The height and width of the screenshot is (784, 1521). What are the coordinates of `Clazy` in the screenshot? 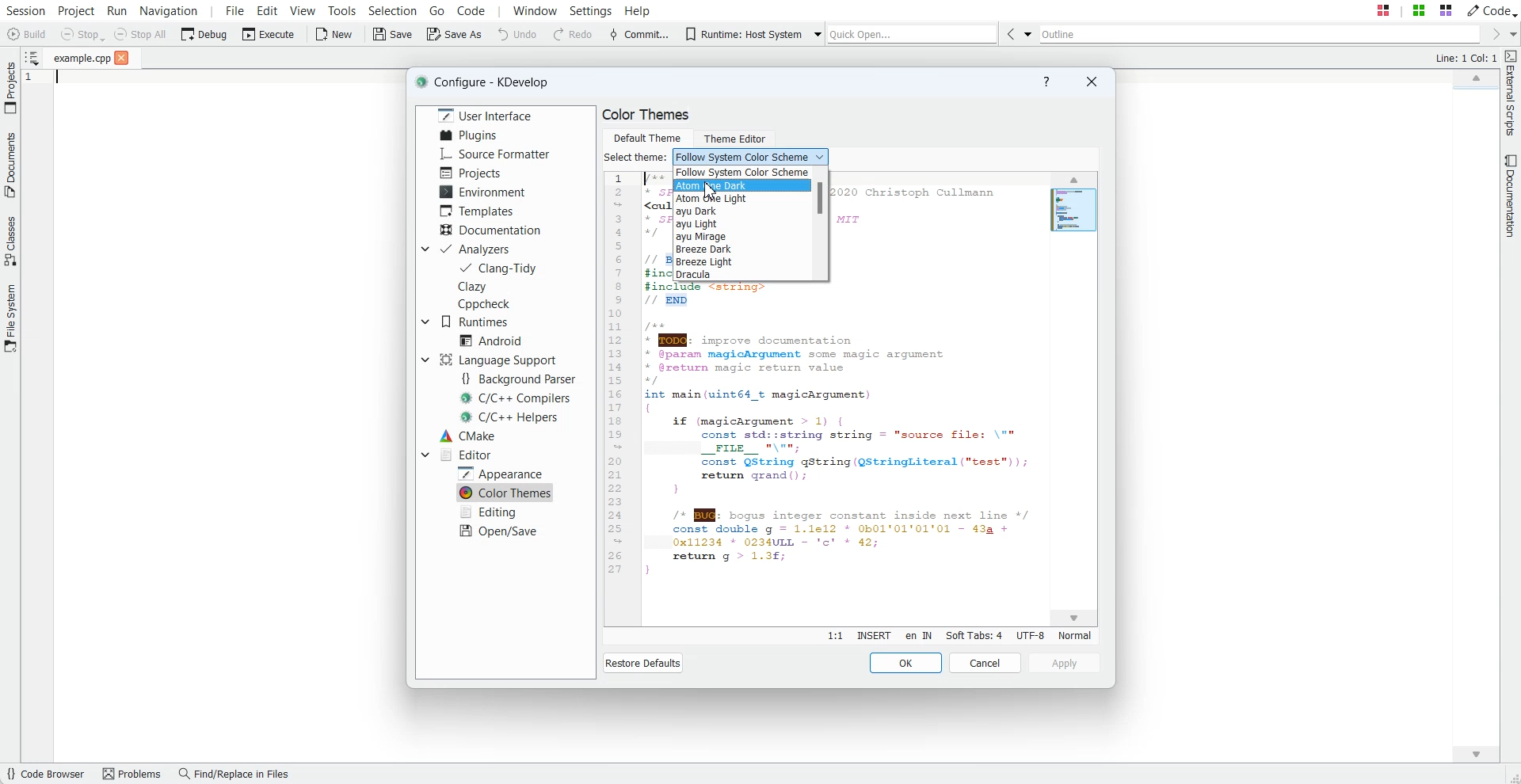 It's located at (488, 286).